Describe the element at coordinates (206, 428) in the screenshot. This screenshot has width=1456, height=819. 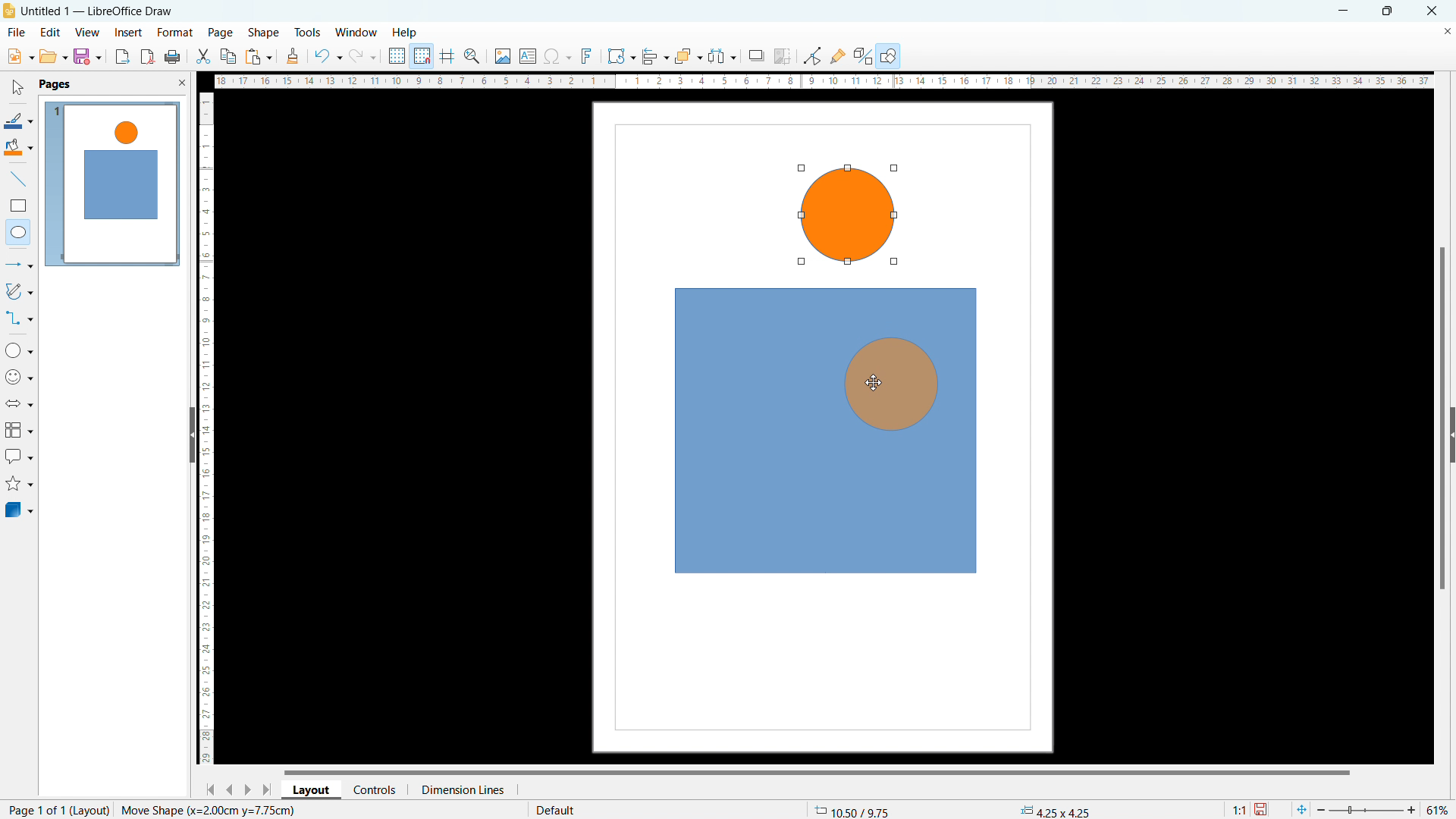
I see `vertical ruler` at that location.